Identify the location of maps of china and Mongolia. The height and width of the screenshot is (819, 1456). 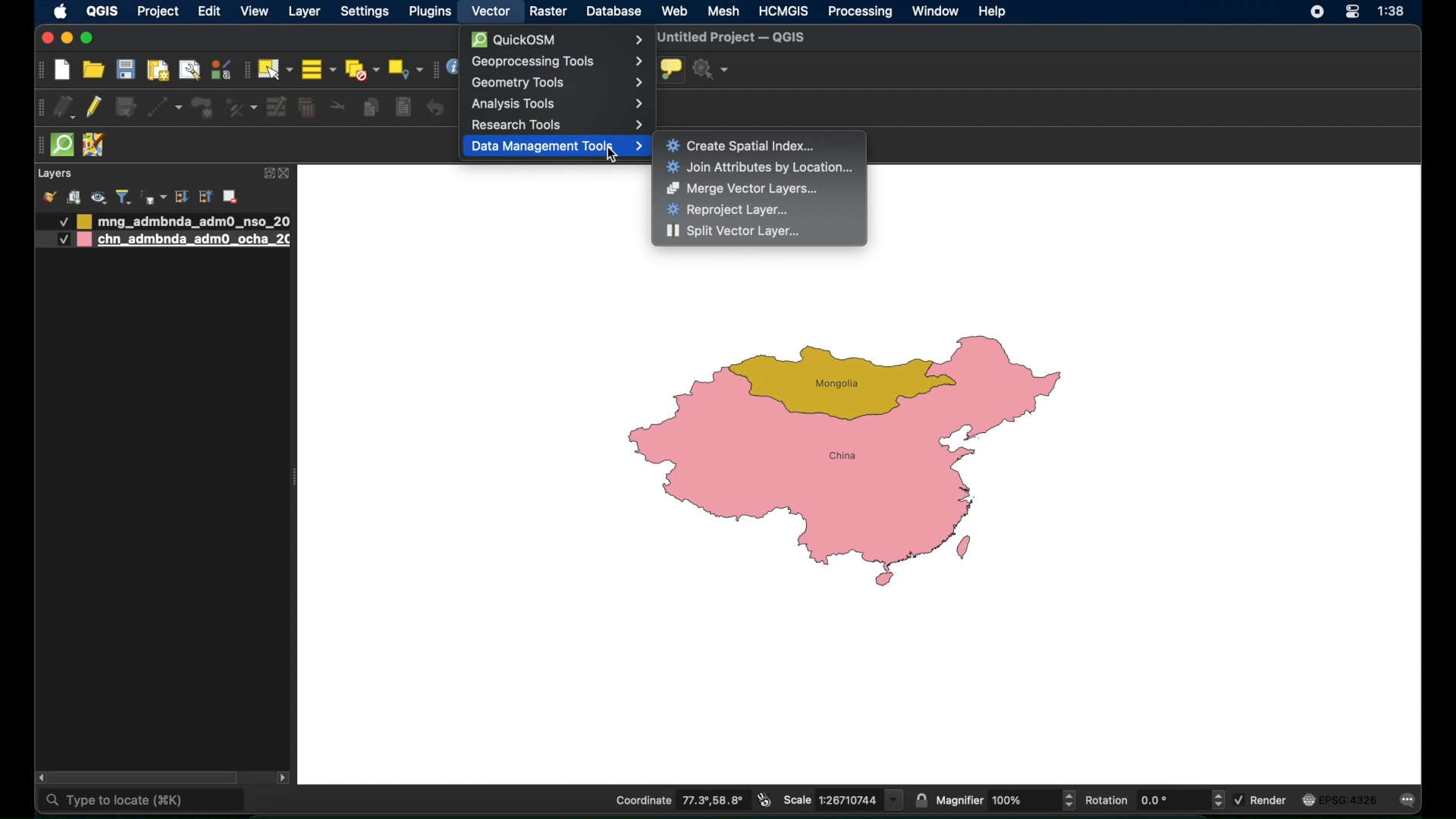
(852, 465).